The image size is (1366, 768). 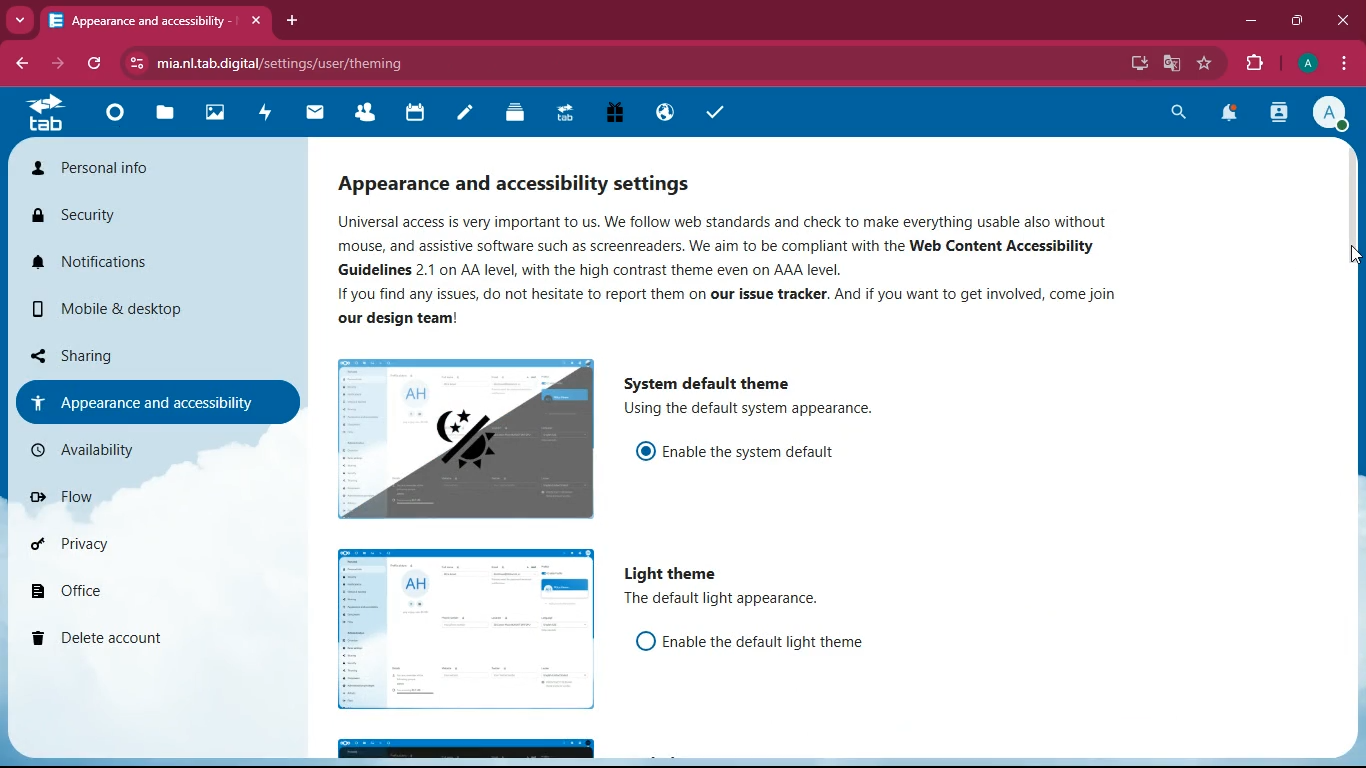 What do you see at coordinates (171, 114) in the screenshot?
I see `files` at bounding box center [171, 114].